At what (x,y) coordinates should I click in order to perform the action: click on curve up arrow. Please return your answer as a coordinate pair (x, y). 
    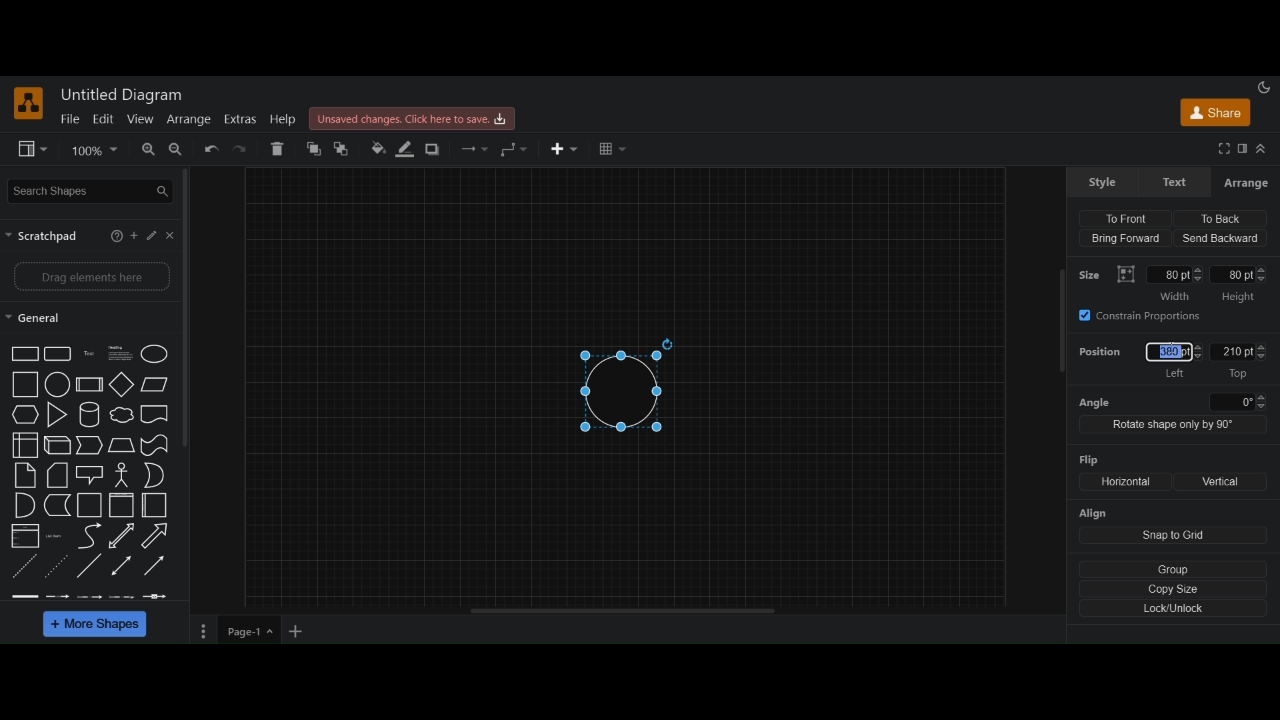
    Looking at the image, I should click on (156, 536).